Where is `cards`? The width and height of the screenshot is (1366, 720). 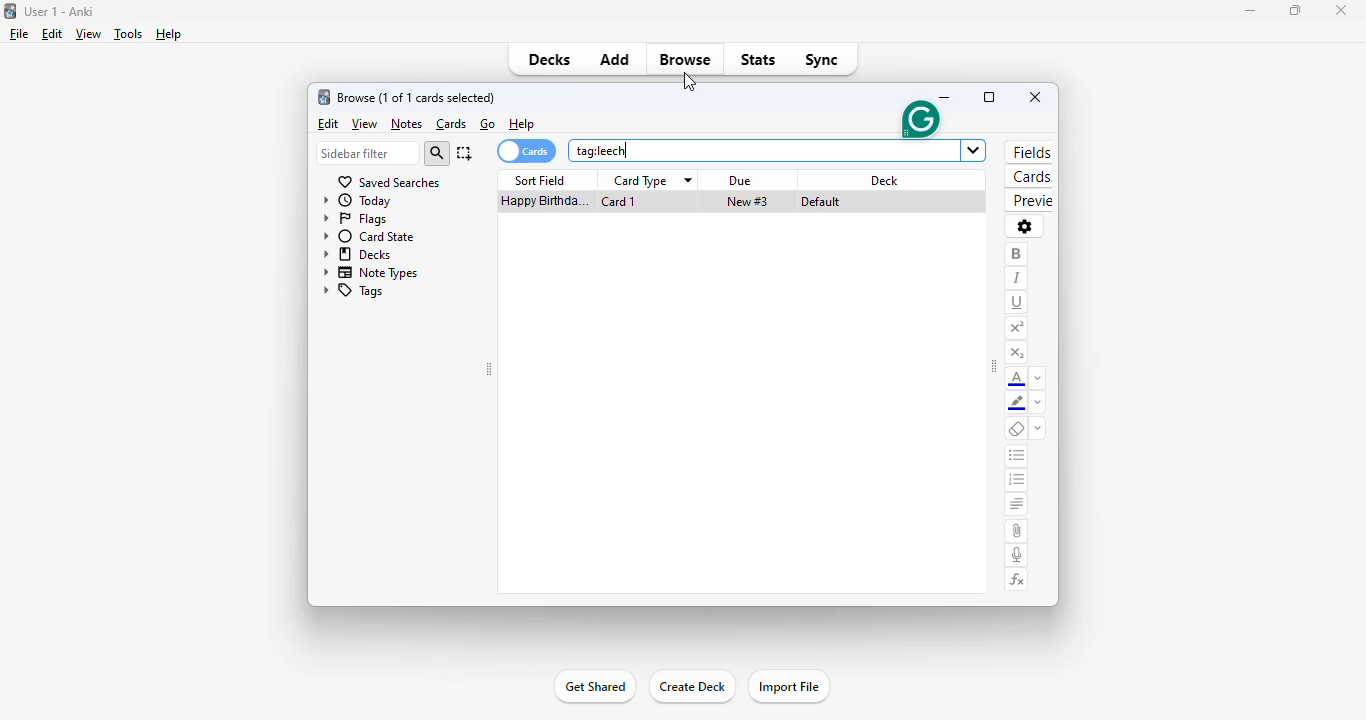 cards is located at coordinates (452, 124).